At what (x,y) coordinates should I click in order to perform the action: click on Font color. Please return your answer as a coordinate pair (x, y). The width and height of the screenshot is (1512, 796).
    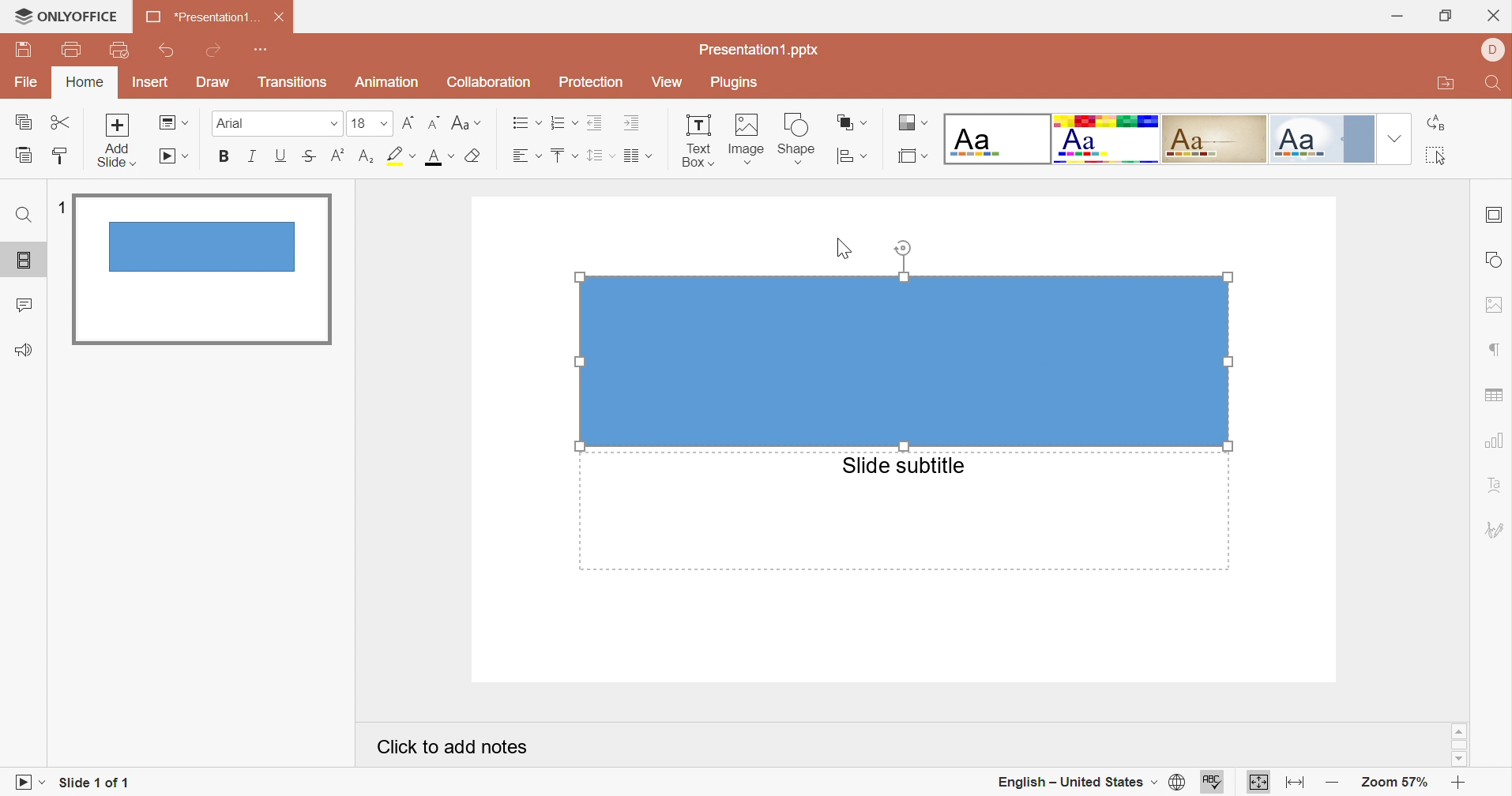
    Looking at the image, I should click on (441, 157).